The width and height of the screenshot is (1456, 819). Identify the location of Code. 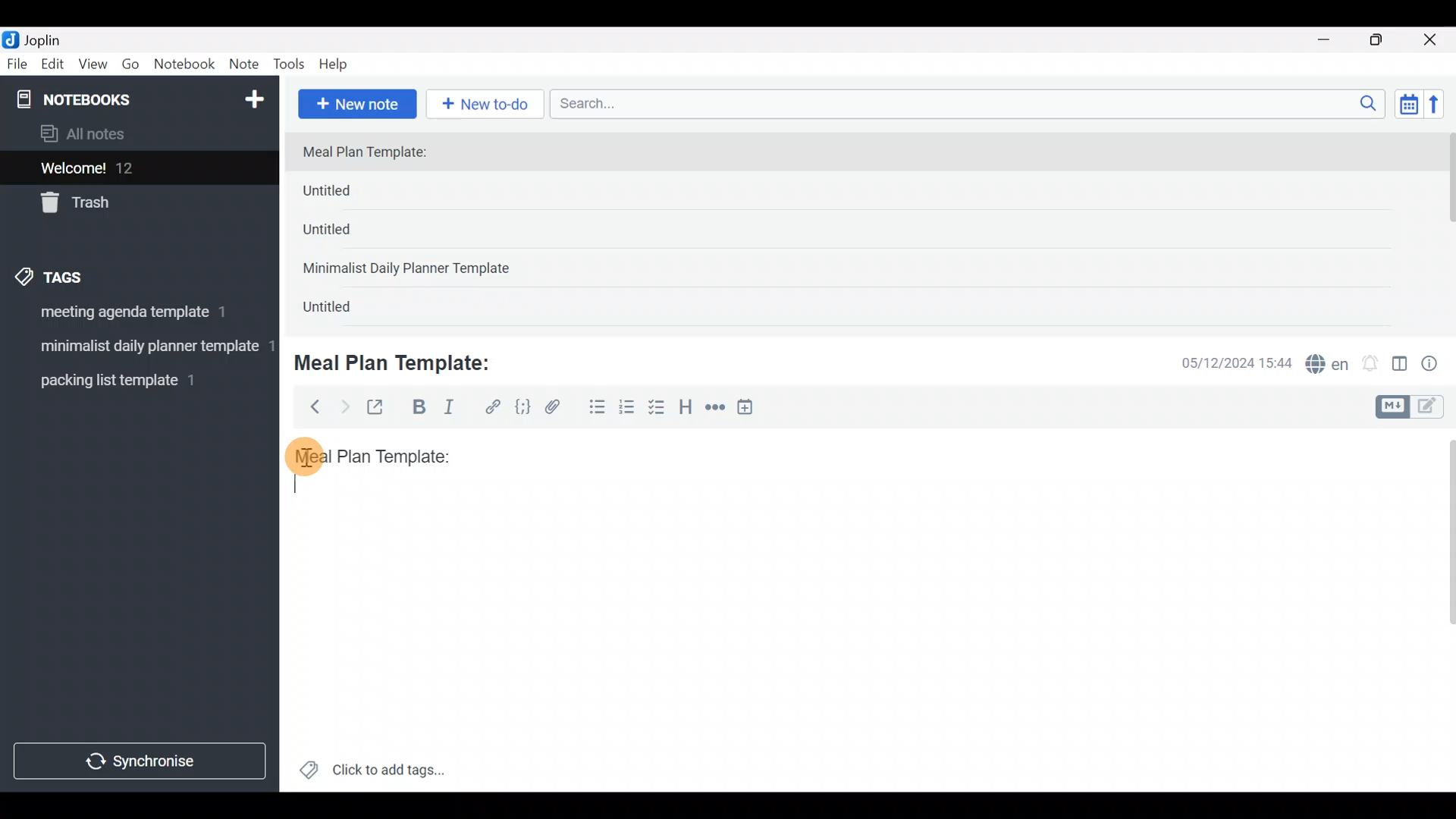
(521, 406).